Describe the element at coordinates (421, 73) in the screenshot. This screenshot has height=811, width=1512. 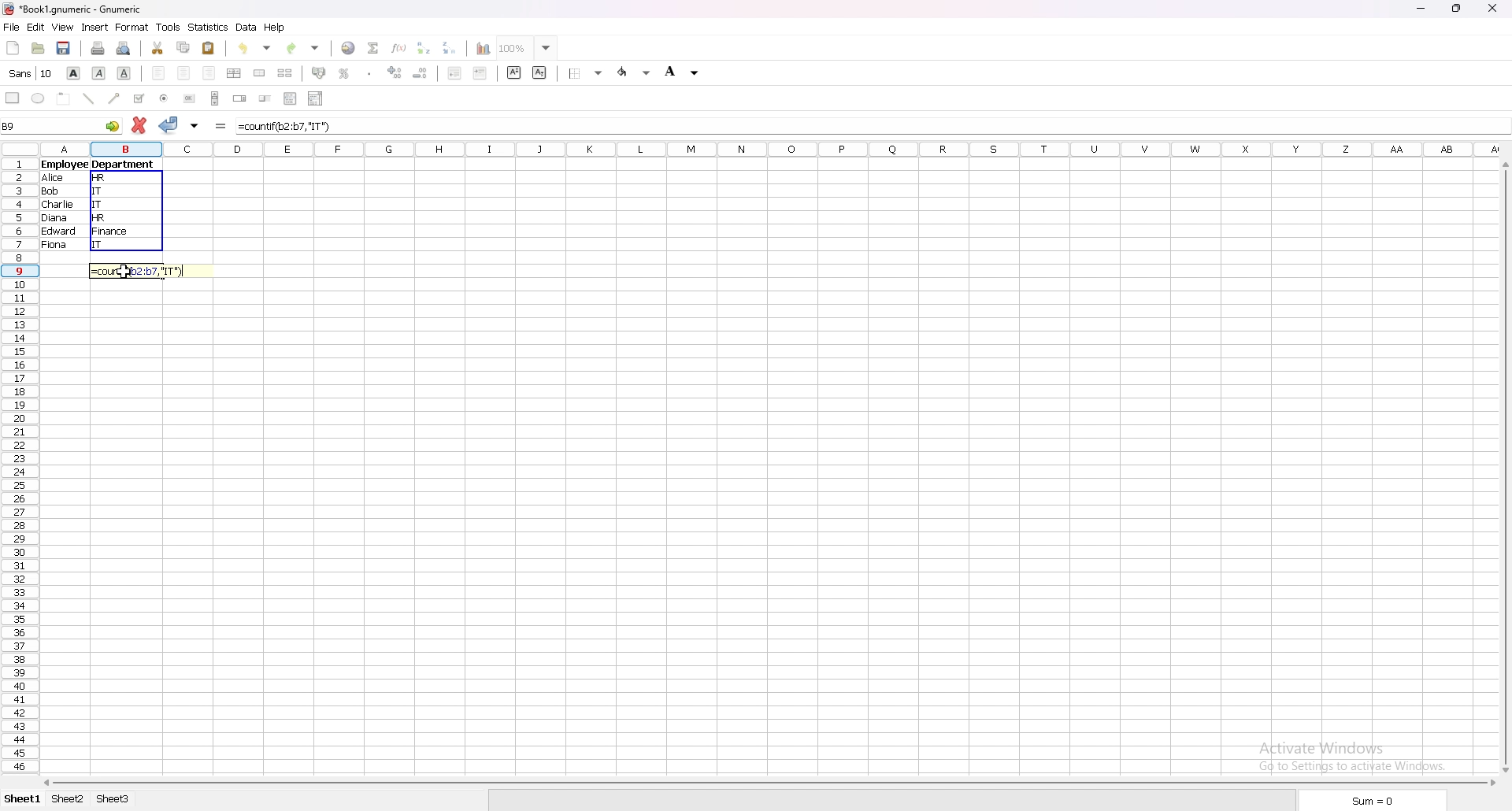
I see `decrease decimals` at that location.